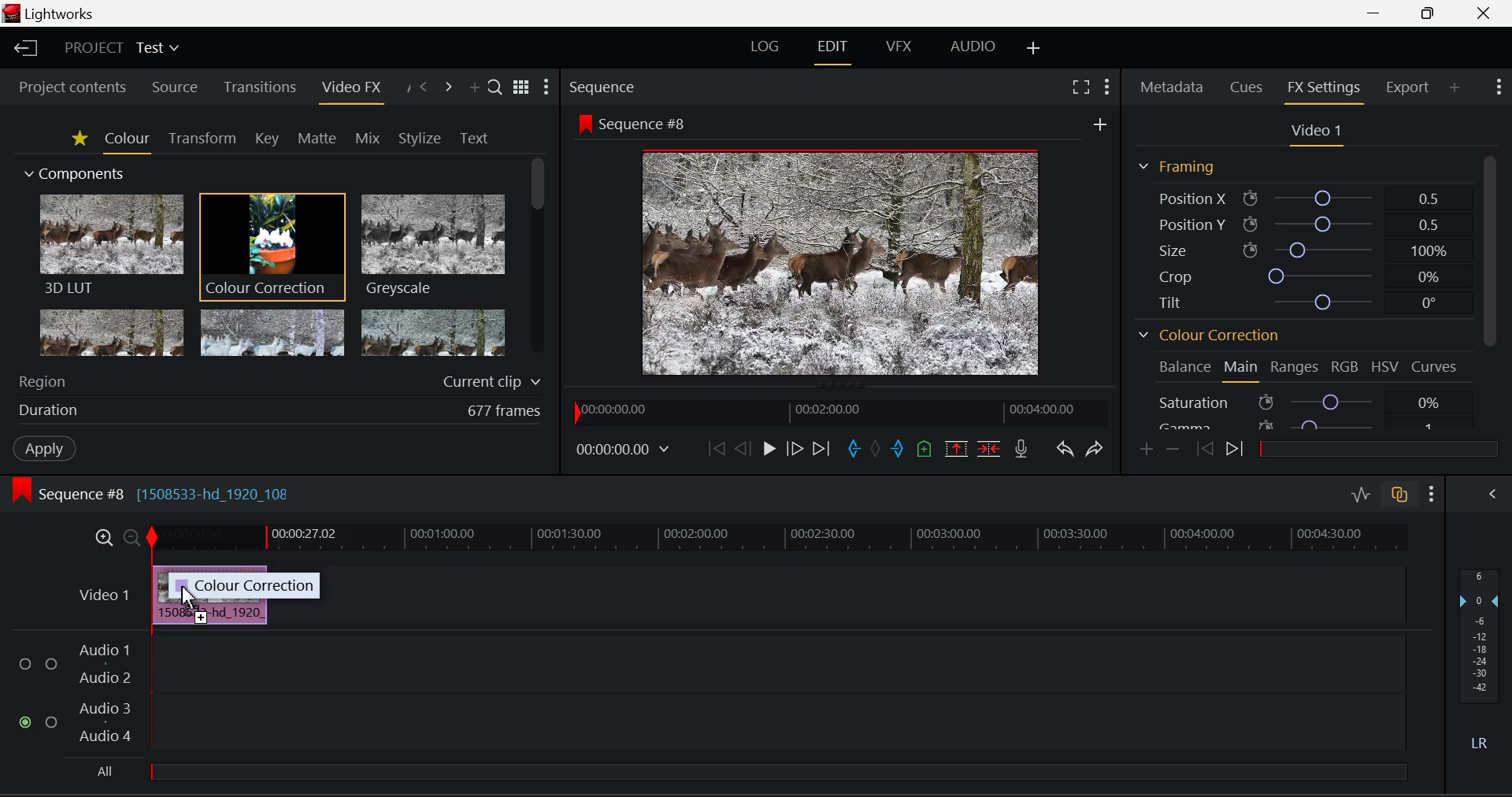 The width and height of the screenshot is (1512, 797). What do you see at coordinates (1298, 224) in the screenshot?
I see `Position Y` at bounding box center [1298, 224].